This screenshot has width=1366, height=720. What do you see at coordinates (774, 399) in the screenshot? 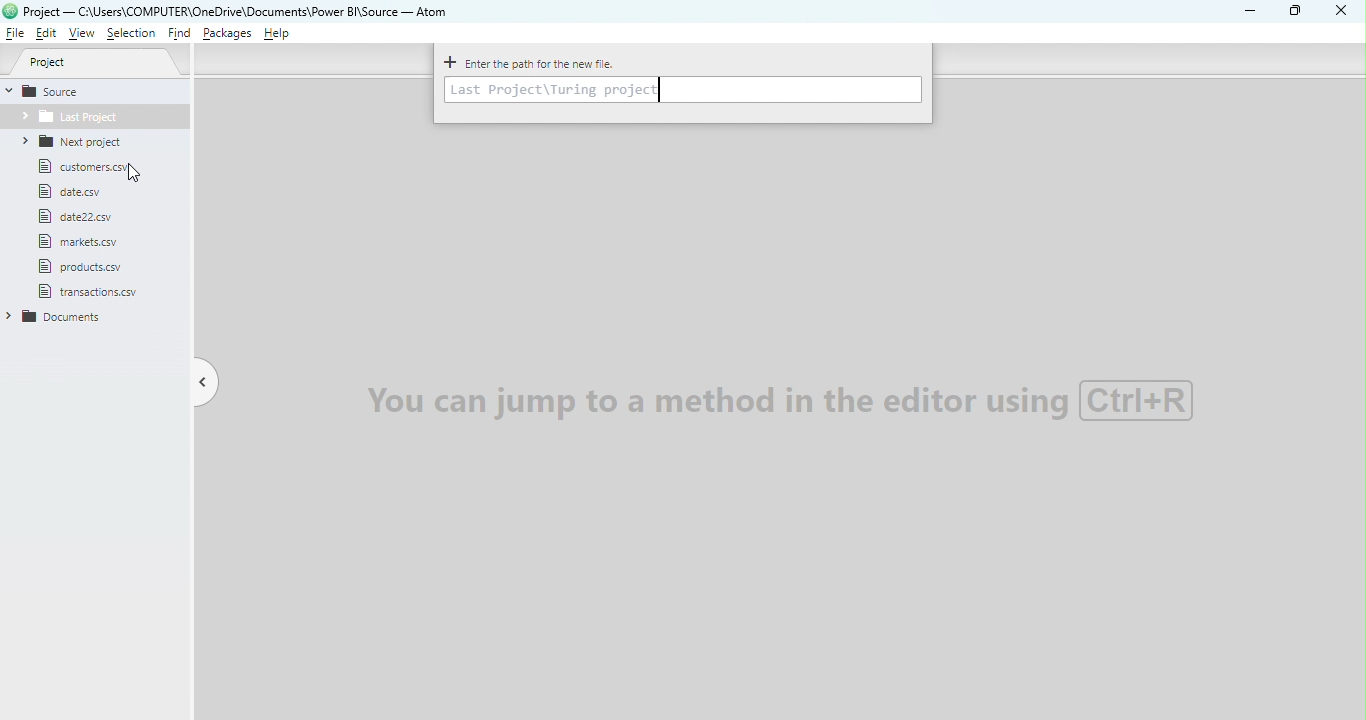
I see `Watermark` at bounding box center [774, 399].